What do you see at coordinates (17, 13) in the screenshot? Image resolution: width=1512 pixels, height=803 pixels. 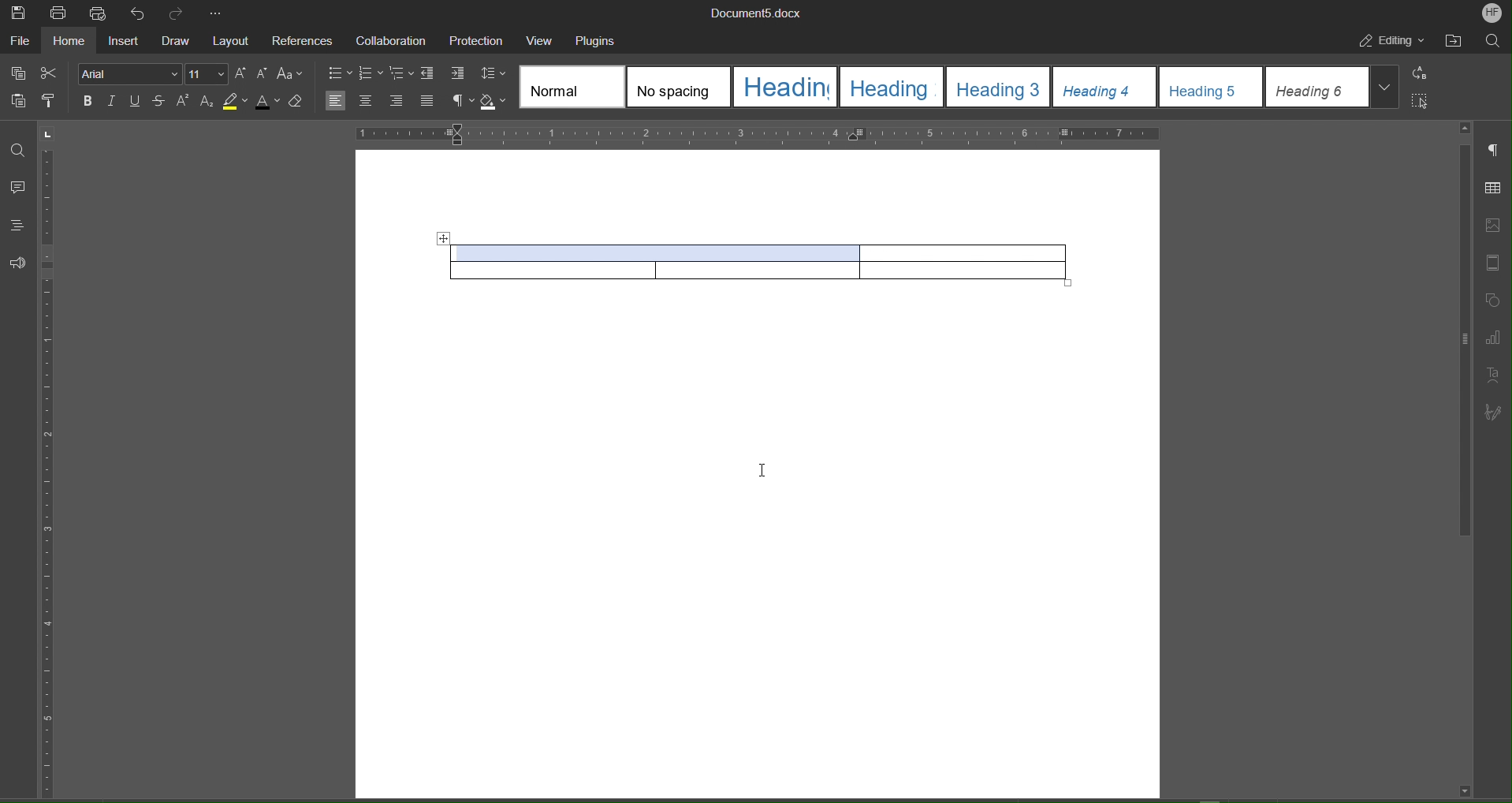 I see `Save` at bounding box center [17, 13].